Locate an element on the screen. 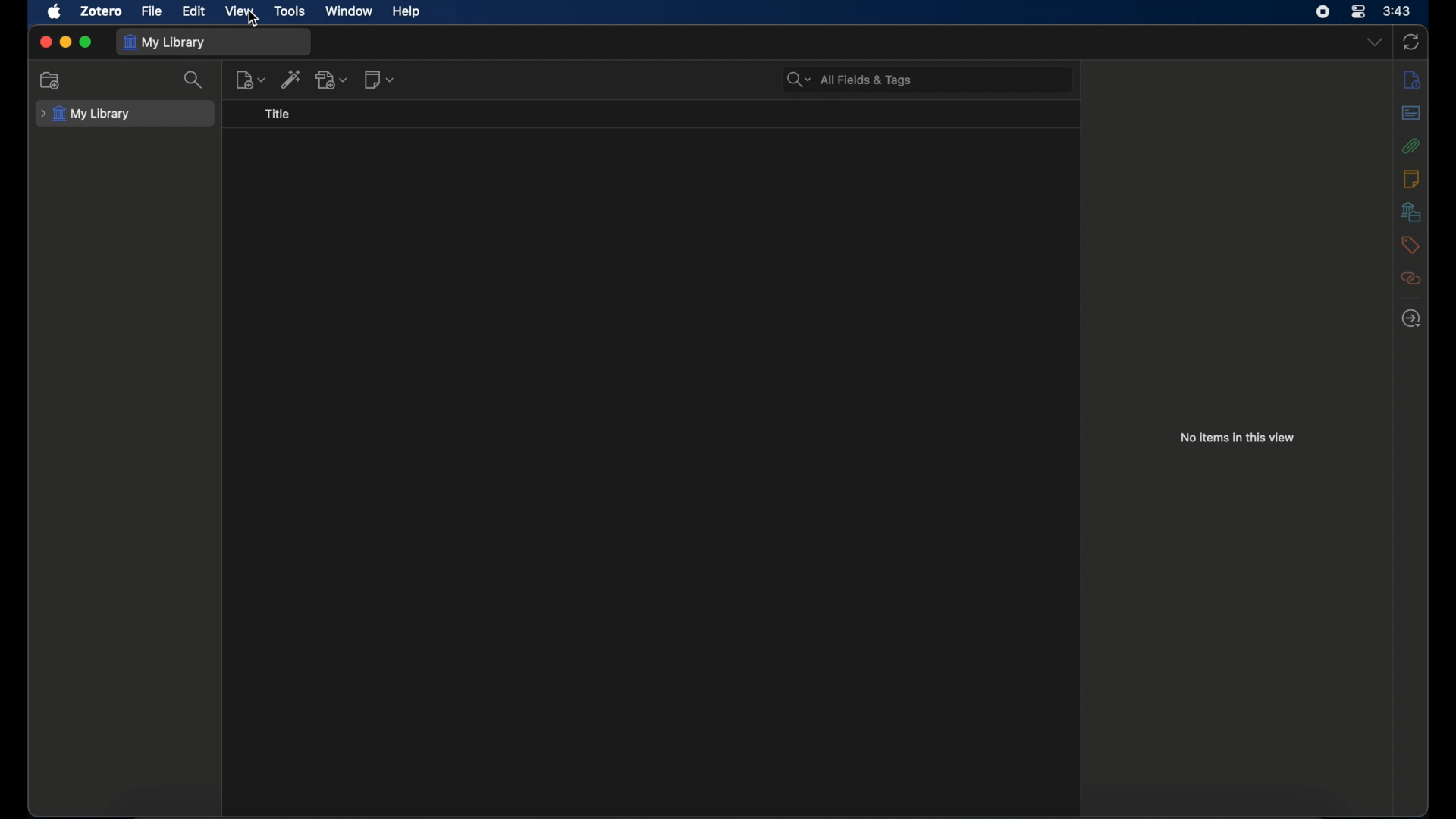 This screenshot has height=819, width=1456. edit is located at coordinates (193, 11).